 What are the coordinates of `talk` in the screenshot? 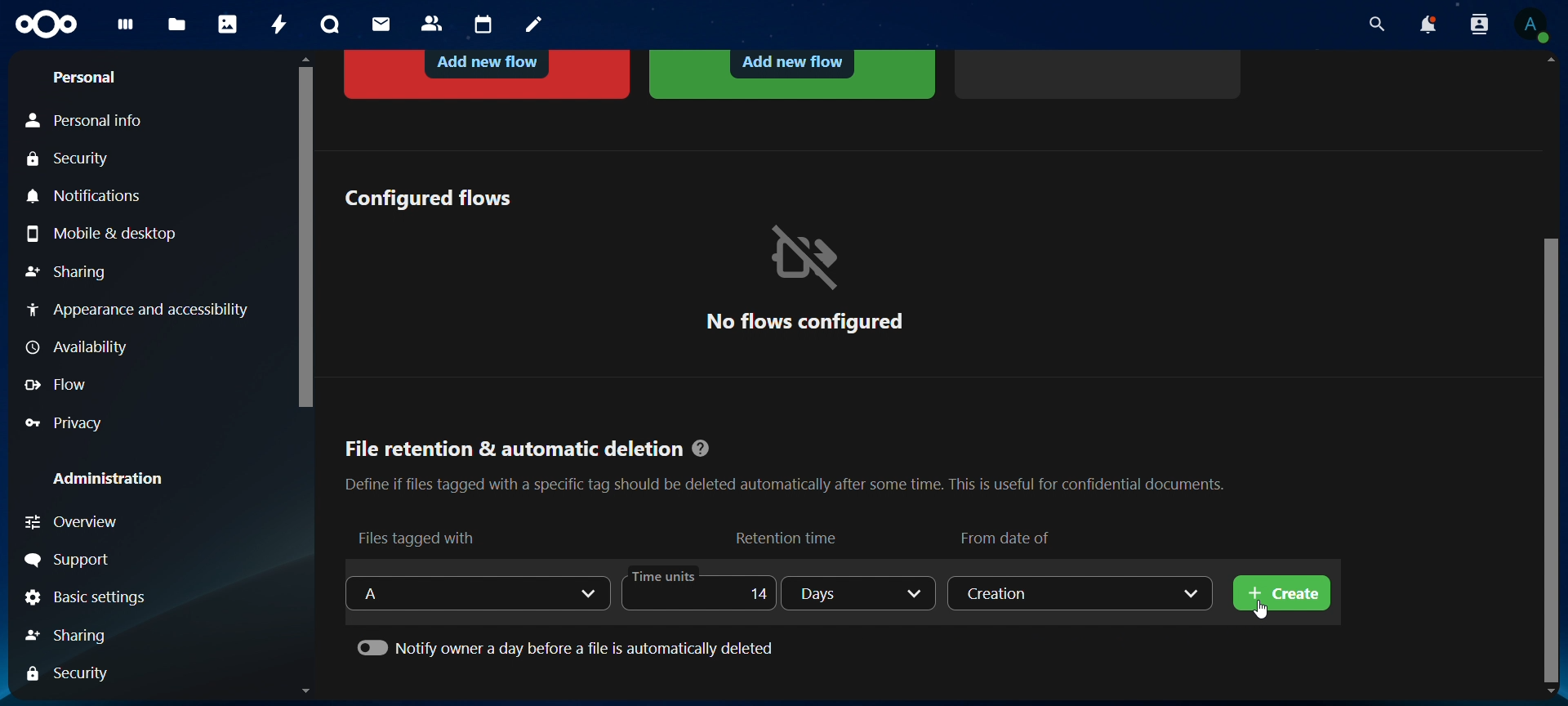 It's located at (330, 25).